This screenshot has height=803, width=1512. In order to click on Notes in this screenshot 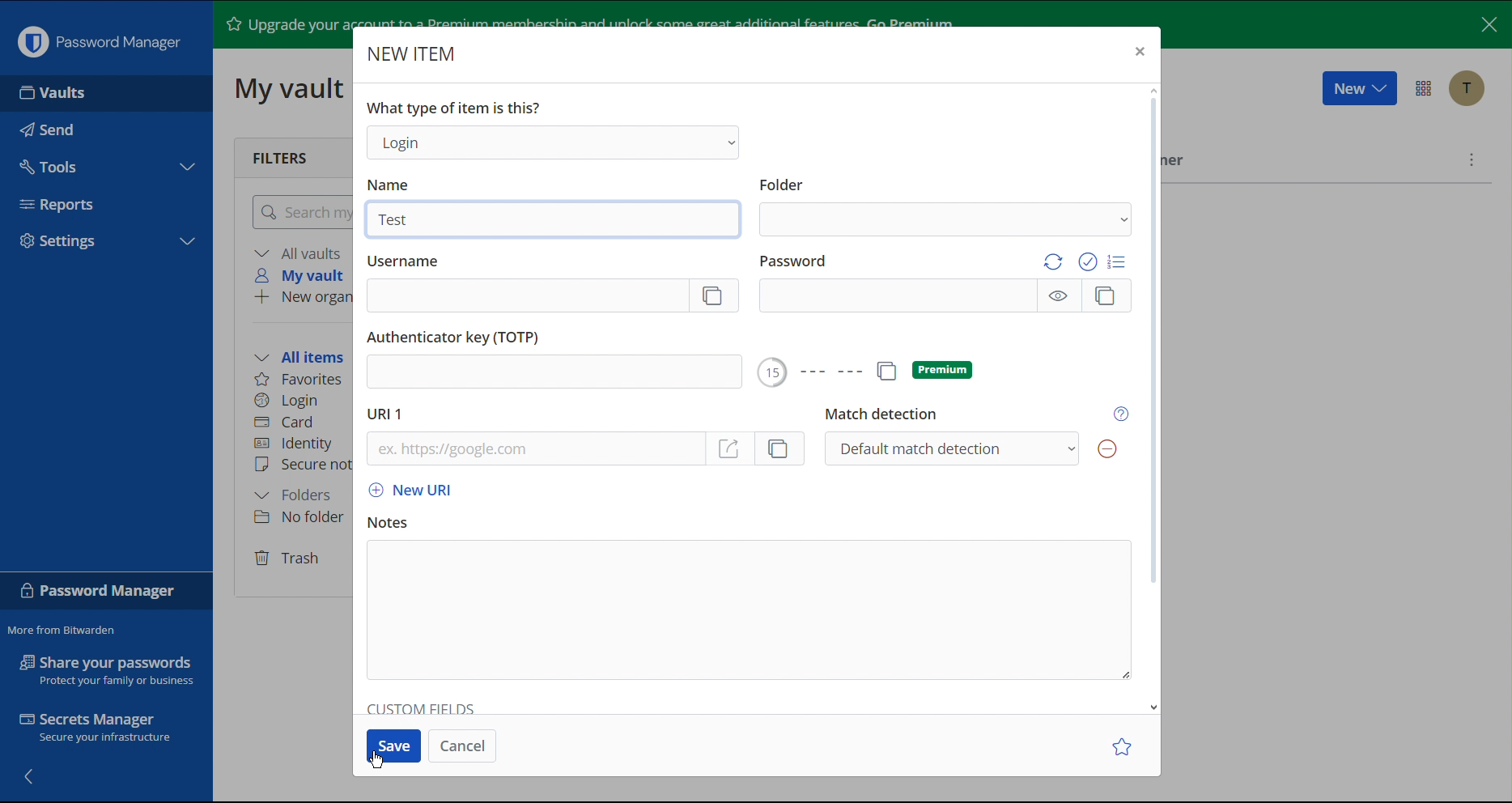, I will do `click(752, 603)`.